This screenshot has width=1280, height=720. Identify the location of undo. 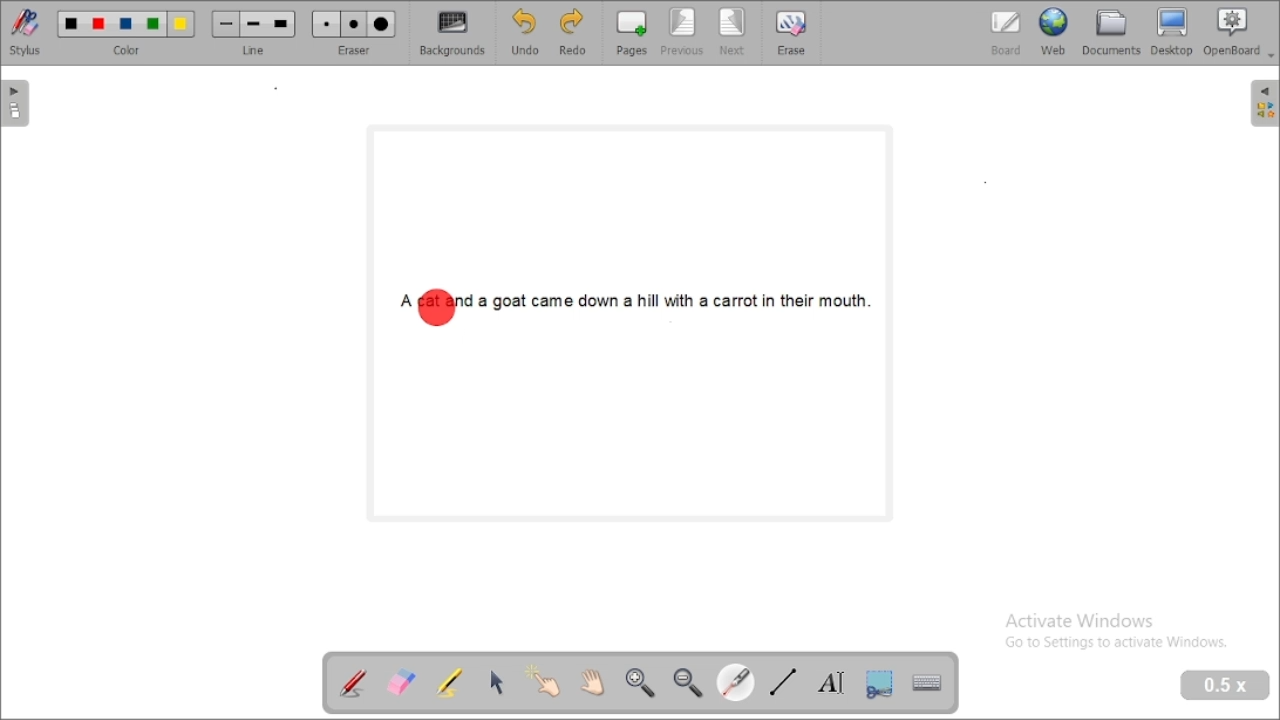
(525, 33).